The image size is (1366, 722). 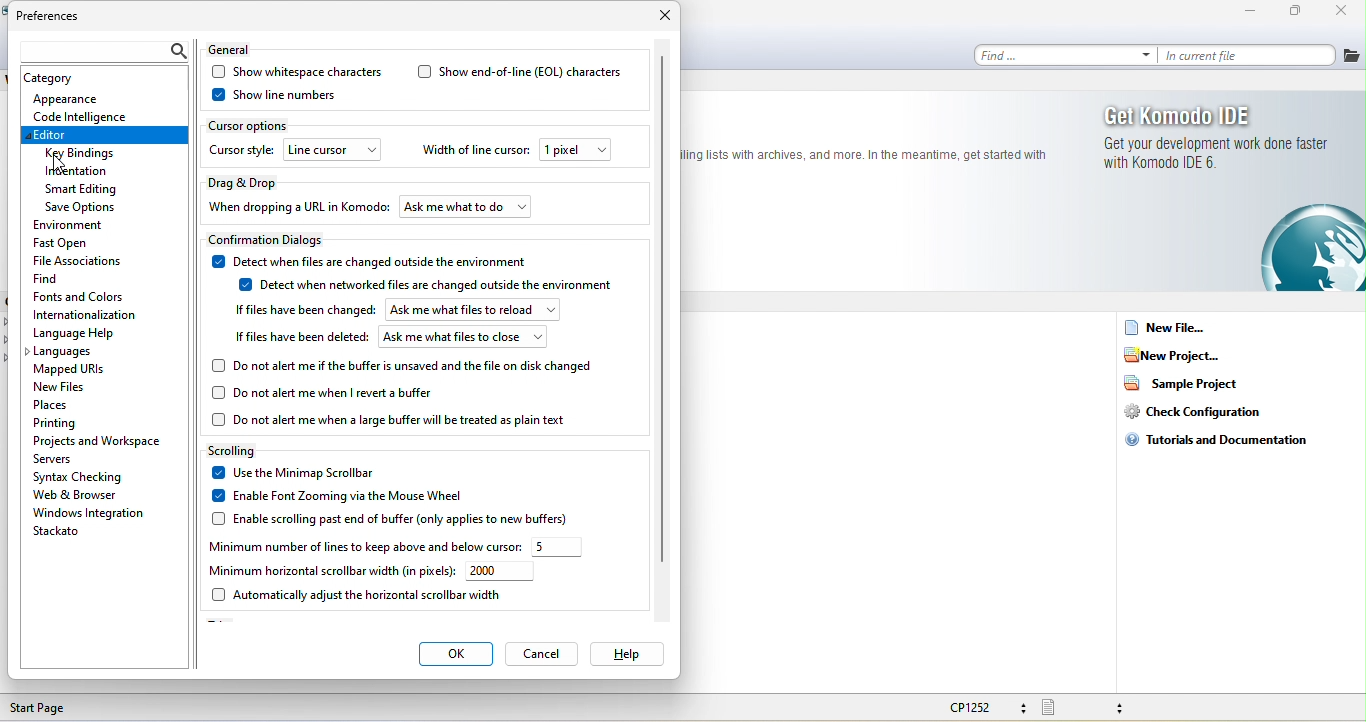 What do you see at coordinates (1191, 382) in the screenshot?
I see `sample project` at bounding box center [1191, 382].